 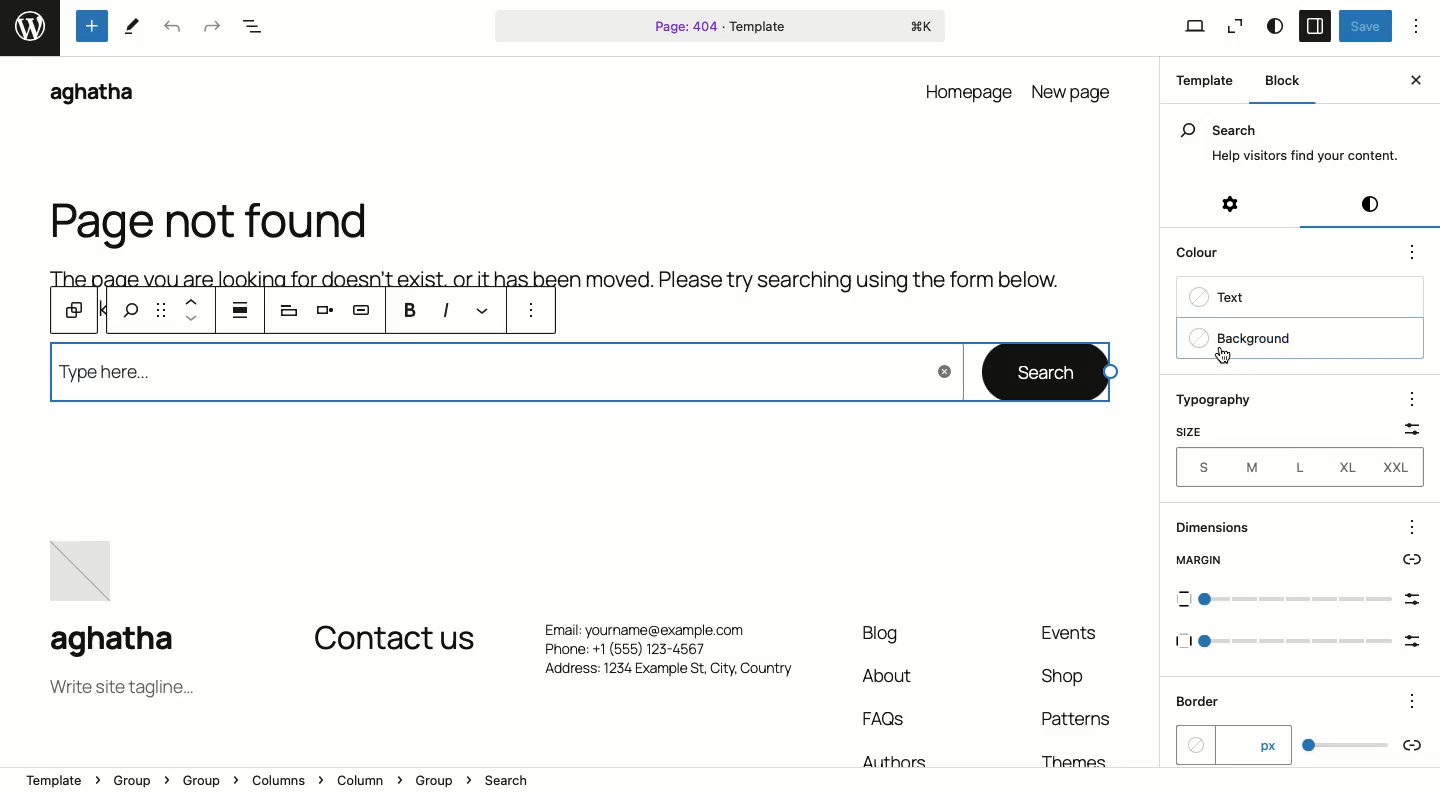 What do you see at coordinates (363, 312) in the screenshot?
I see `AI` at bounding box center [363, 312].